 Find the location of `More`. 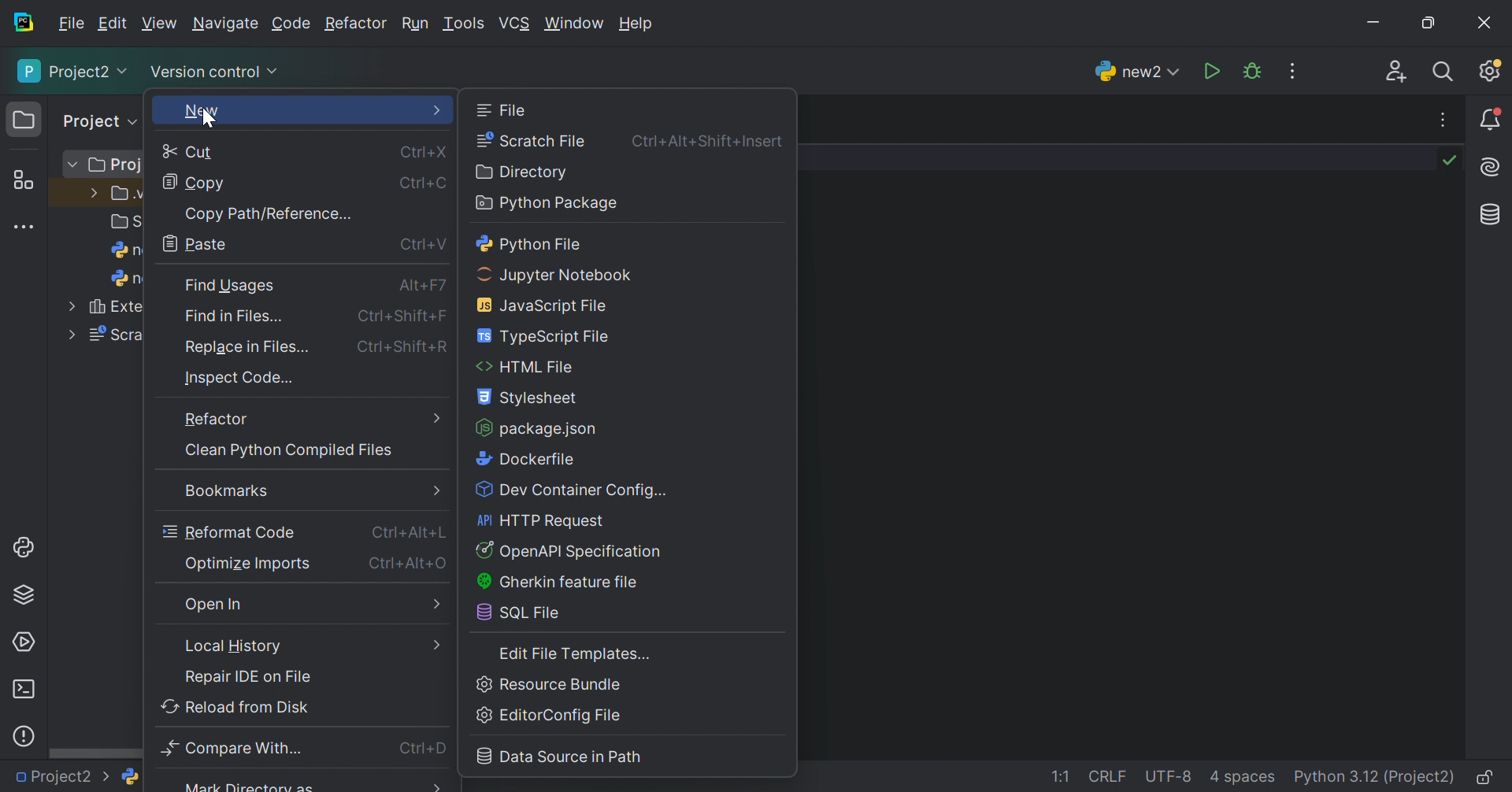

More is located at coordinates (438, 111).